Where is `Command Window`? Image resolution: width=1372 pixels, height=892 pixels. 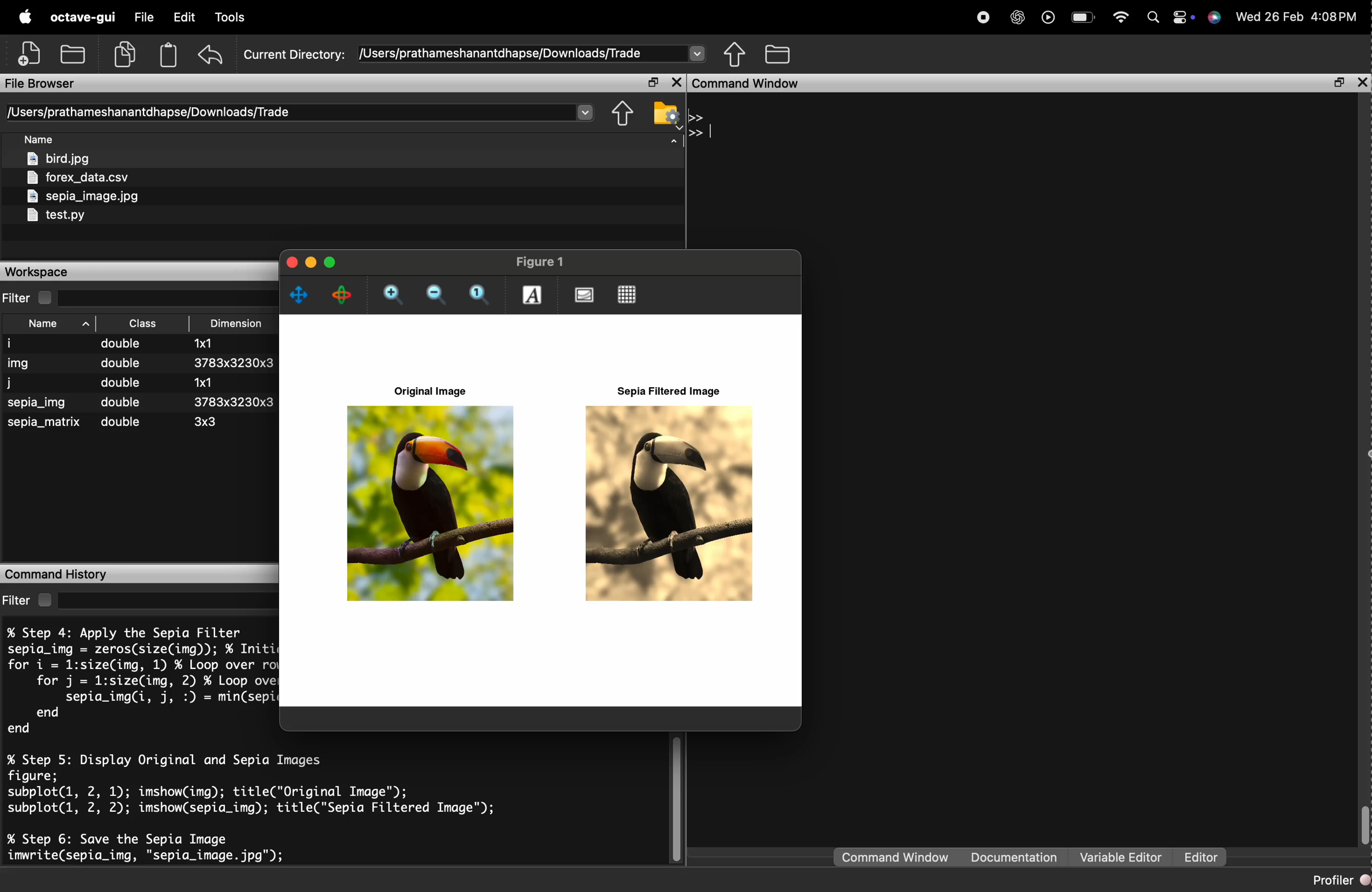 Command Window is located at coordinates (745, 84).